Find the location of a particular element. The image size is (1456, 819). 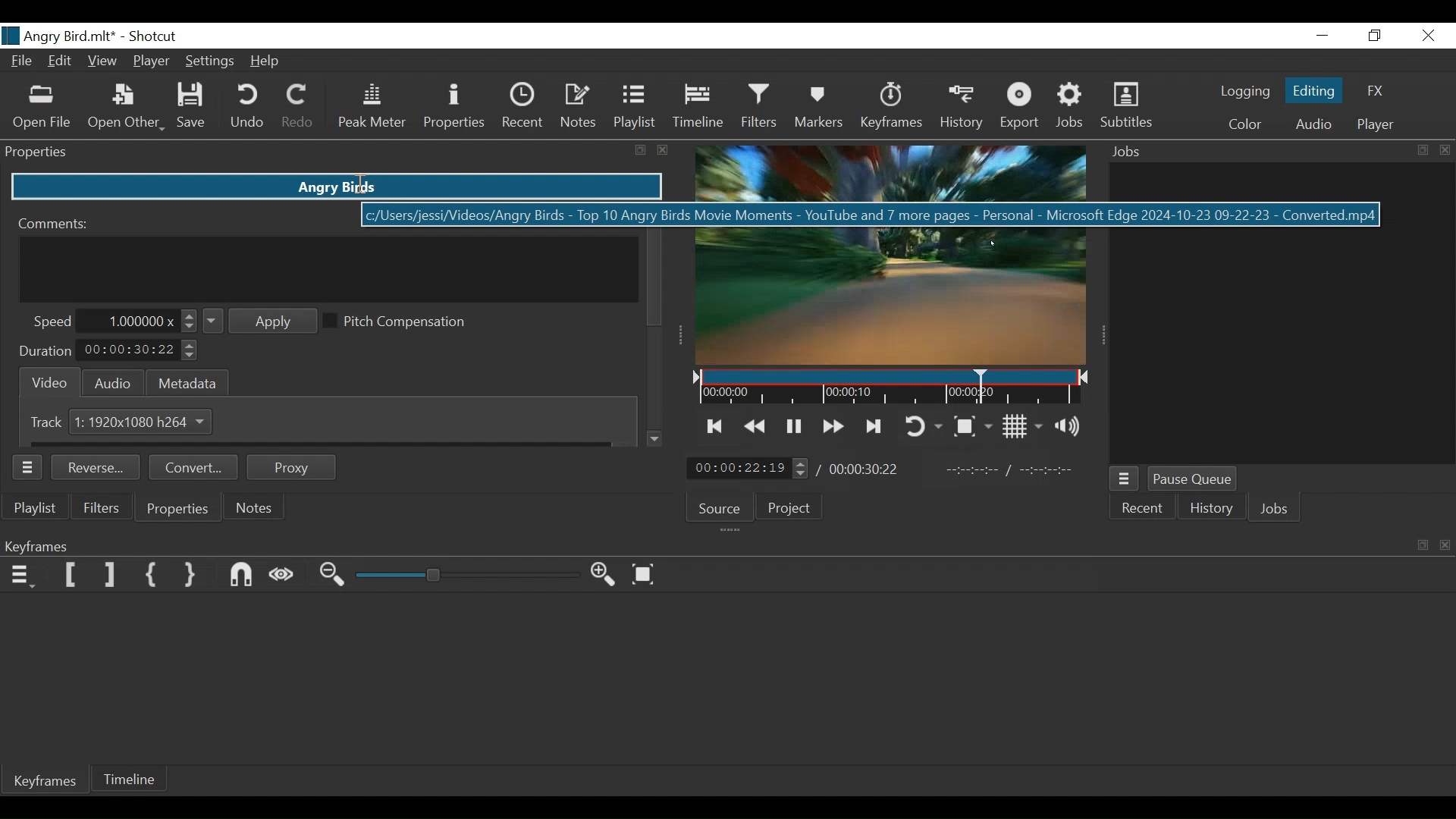

location is located at coordinates (524, 216).